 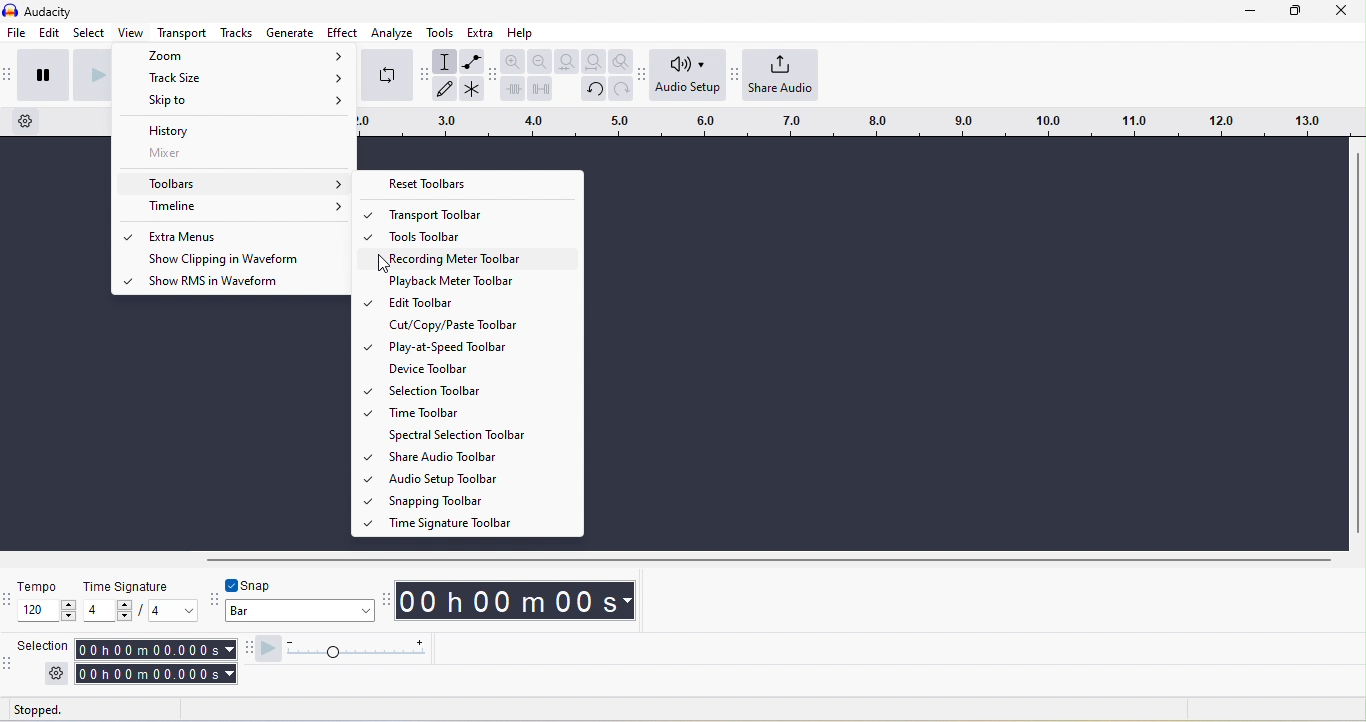 I want to click on tickmark represents corresponding options are enabled, so click(x=367, y=369).